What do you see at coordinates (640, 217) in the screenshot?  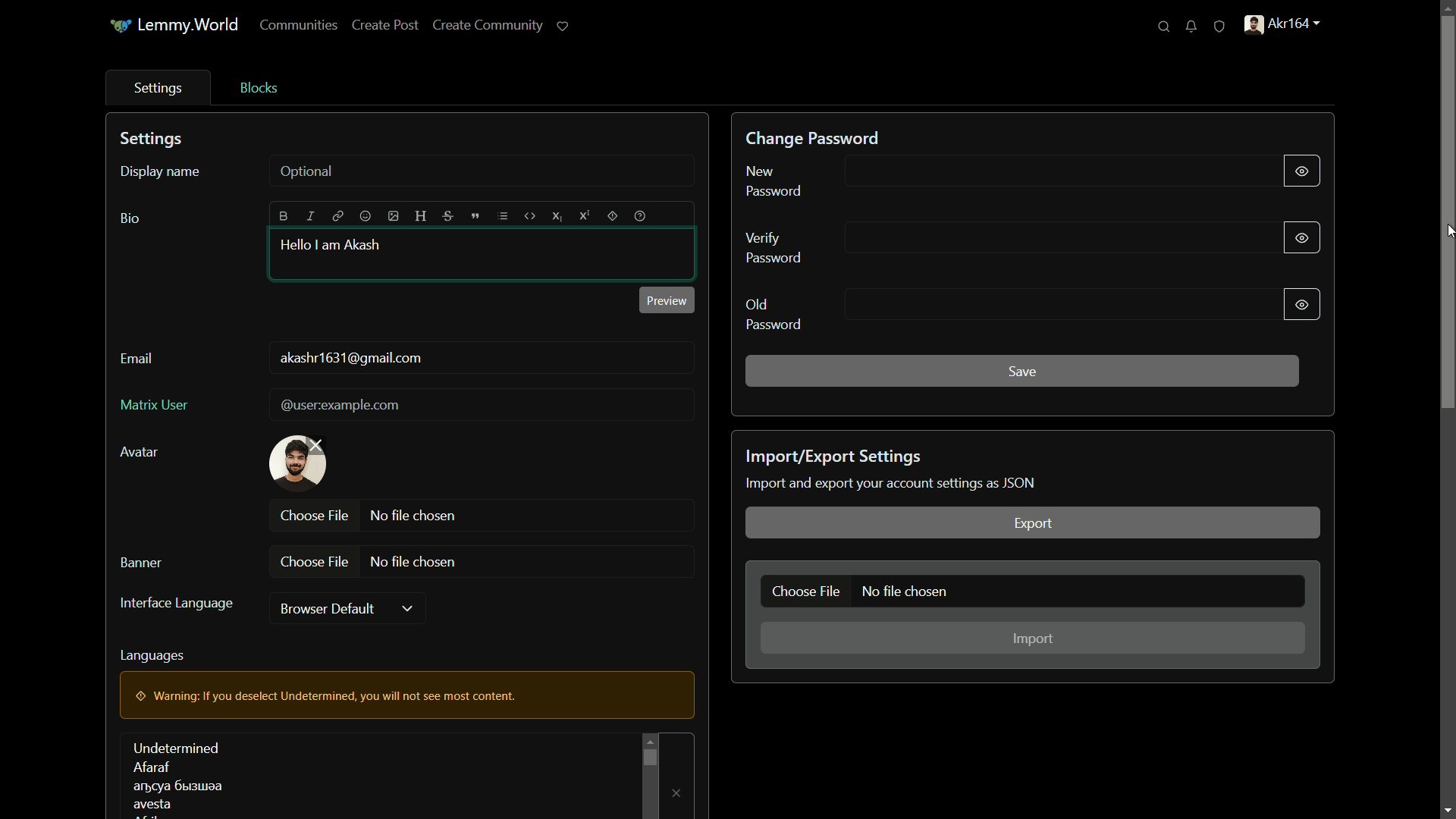 I see `help` at bounding box center [640, 217].